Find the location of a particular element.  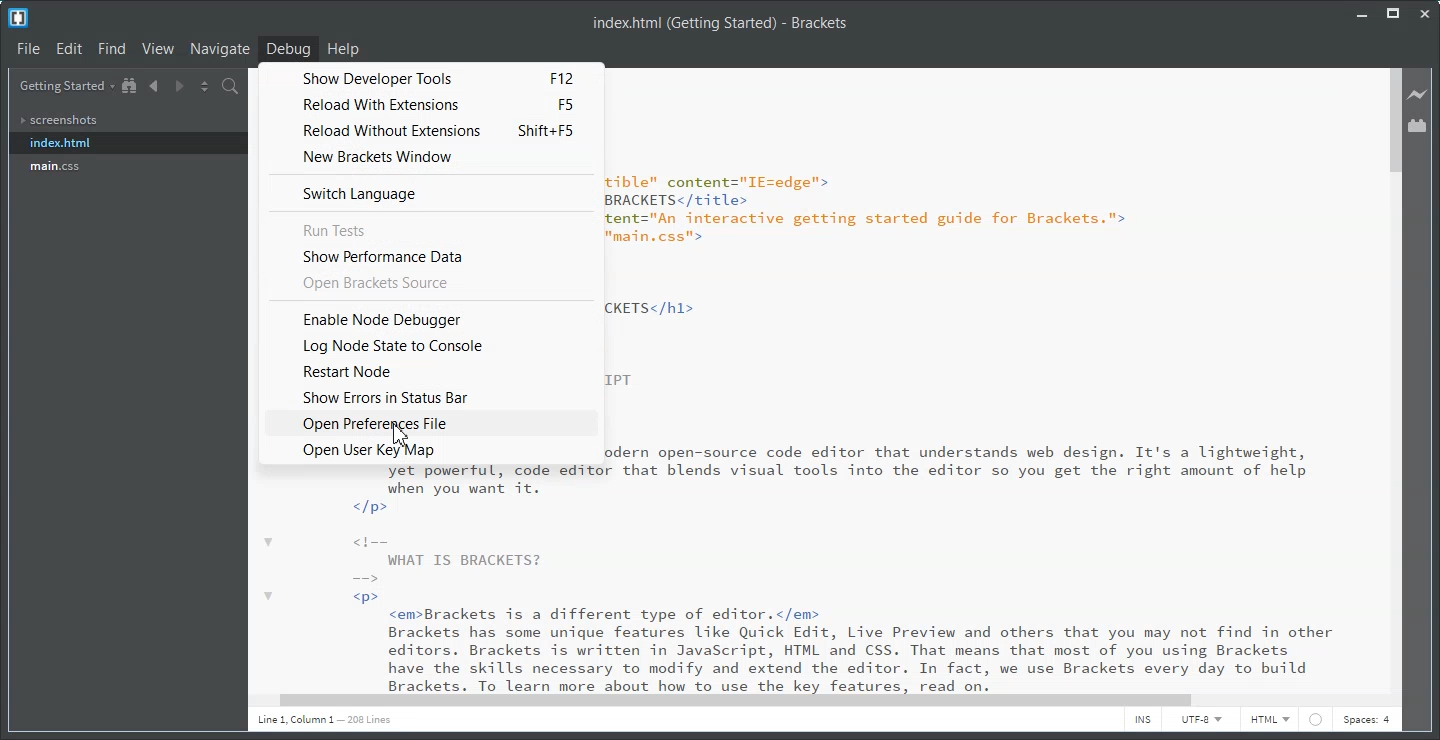

File is located at coordinates (28, 48).